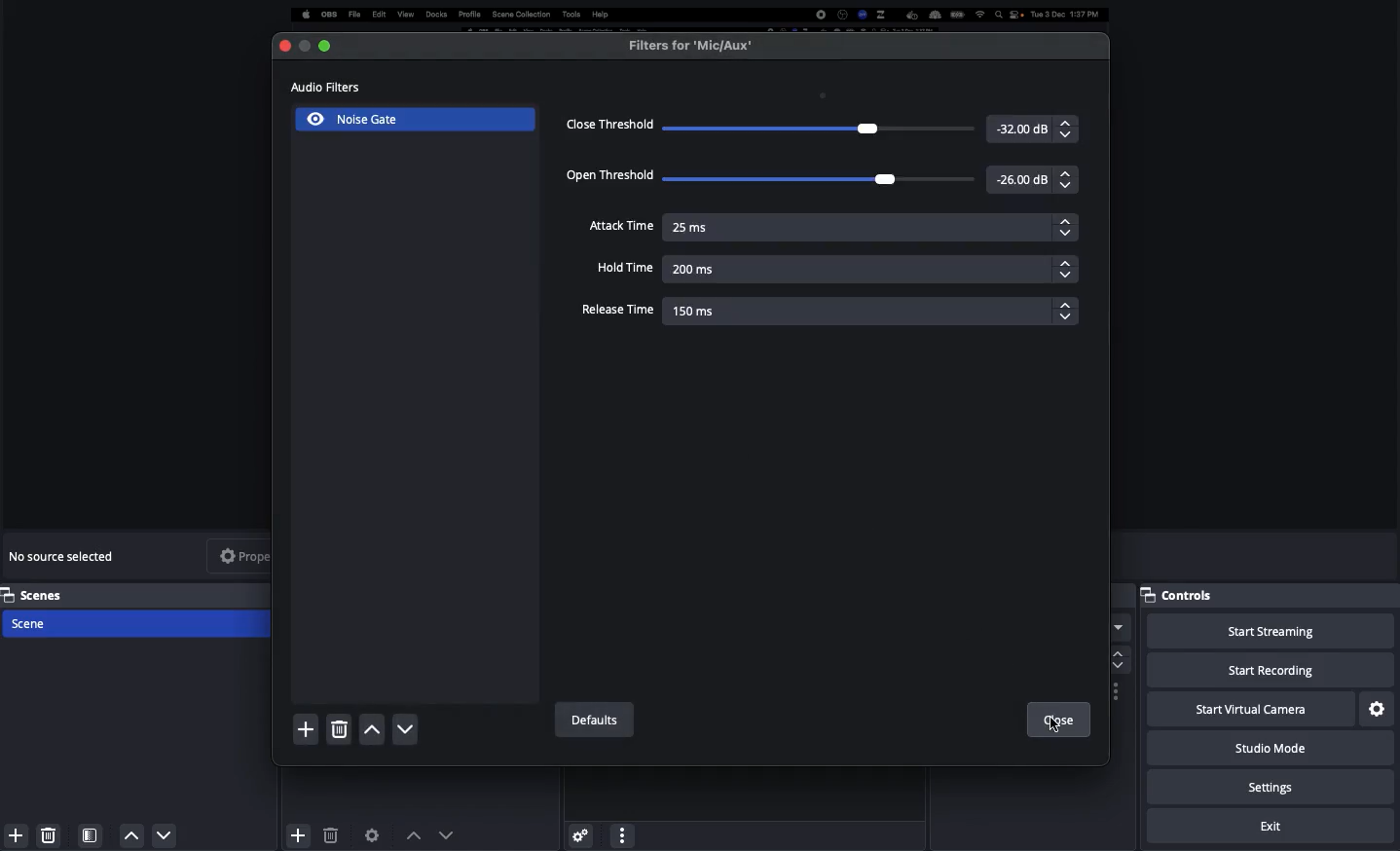 The height and width of the screenshot is (851, 1400). Describe the element at coordinates (828, 312) in the screenshot. I see `Release time` at that location.